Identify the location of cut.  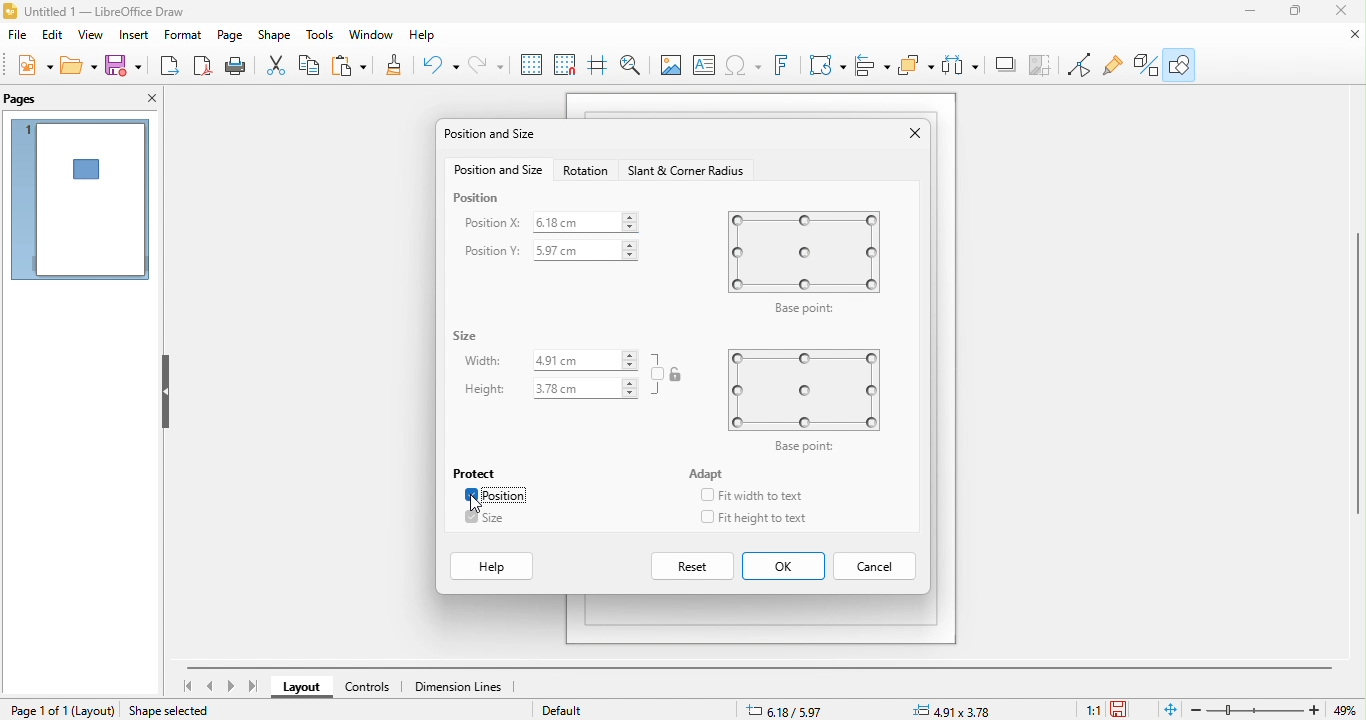
(279, 67).